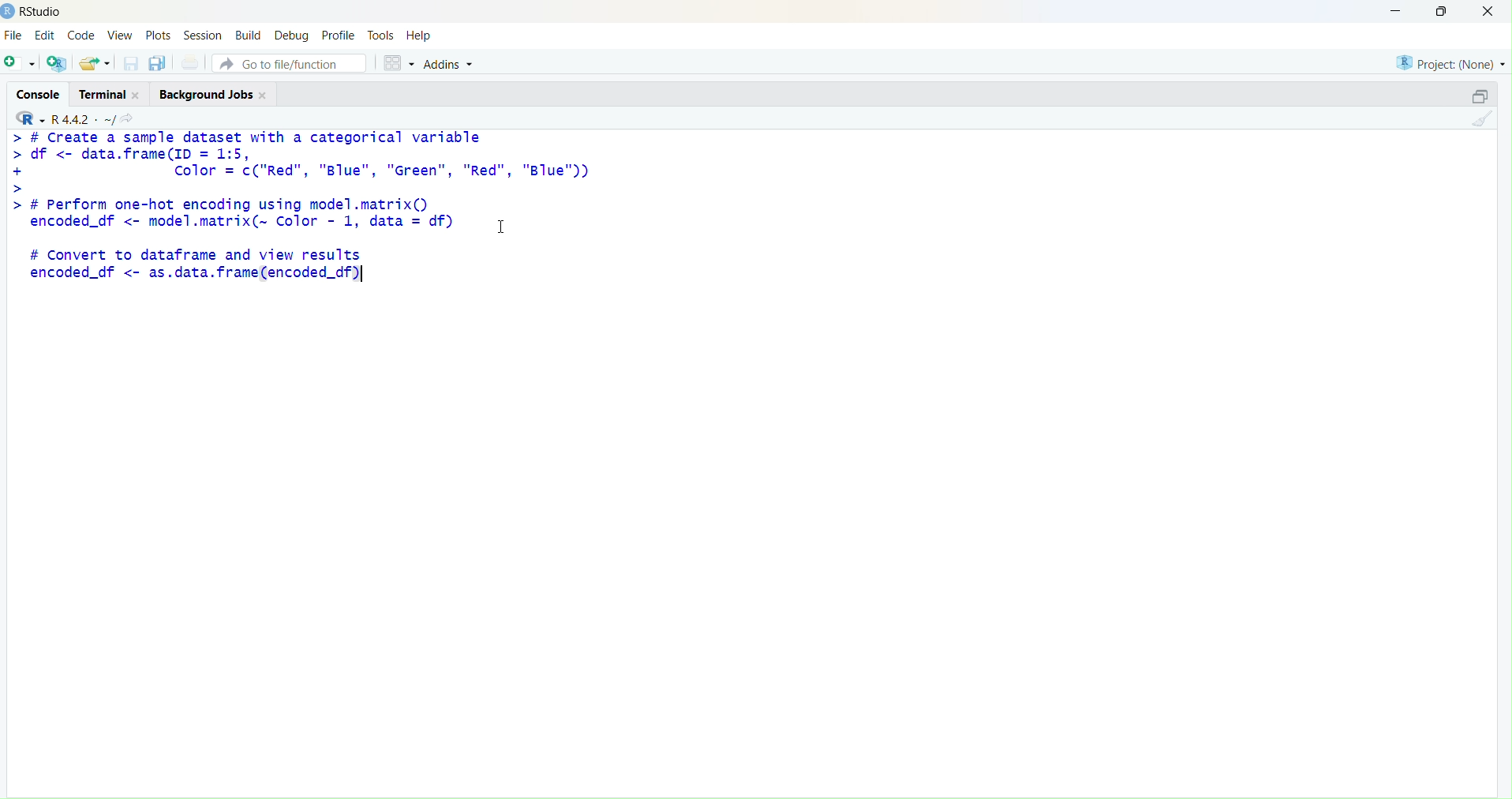 Image resolution: width=1512 pixels, height=799 pixels. What do you see at coordinates (289, 63) in the screenshot?
I see `go to file/function` at bounding box center [289, 63].